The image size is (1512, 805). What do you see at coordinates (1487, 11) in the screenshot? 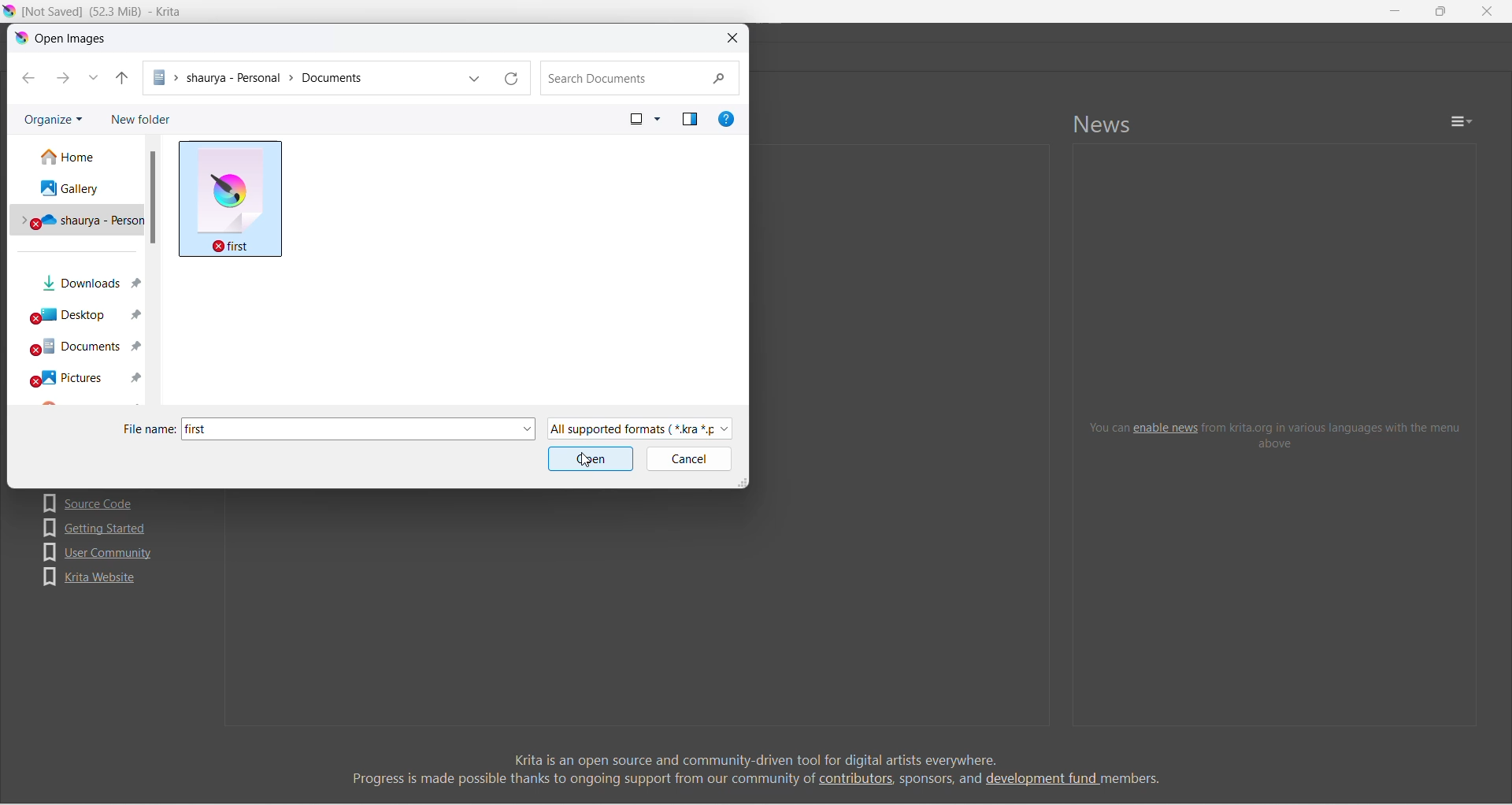
I see `close` at bounding box center [1487, 11].